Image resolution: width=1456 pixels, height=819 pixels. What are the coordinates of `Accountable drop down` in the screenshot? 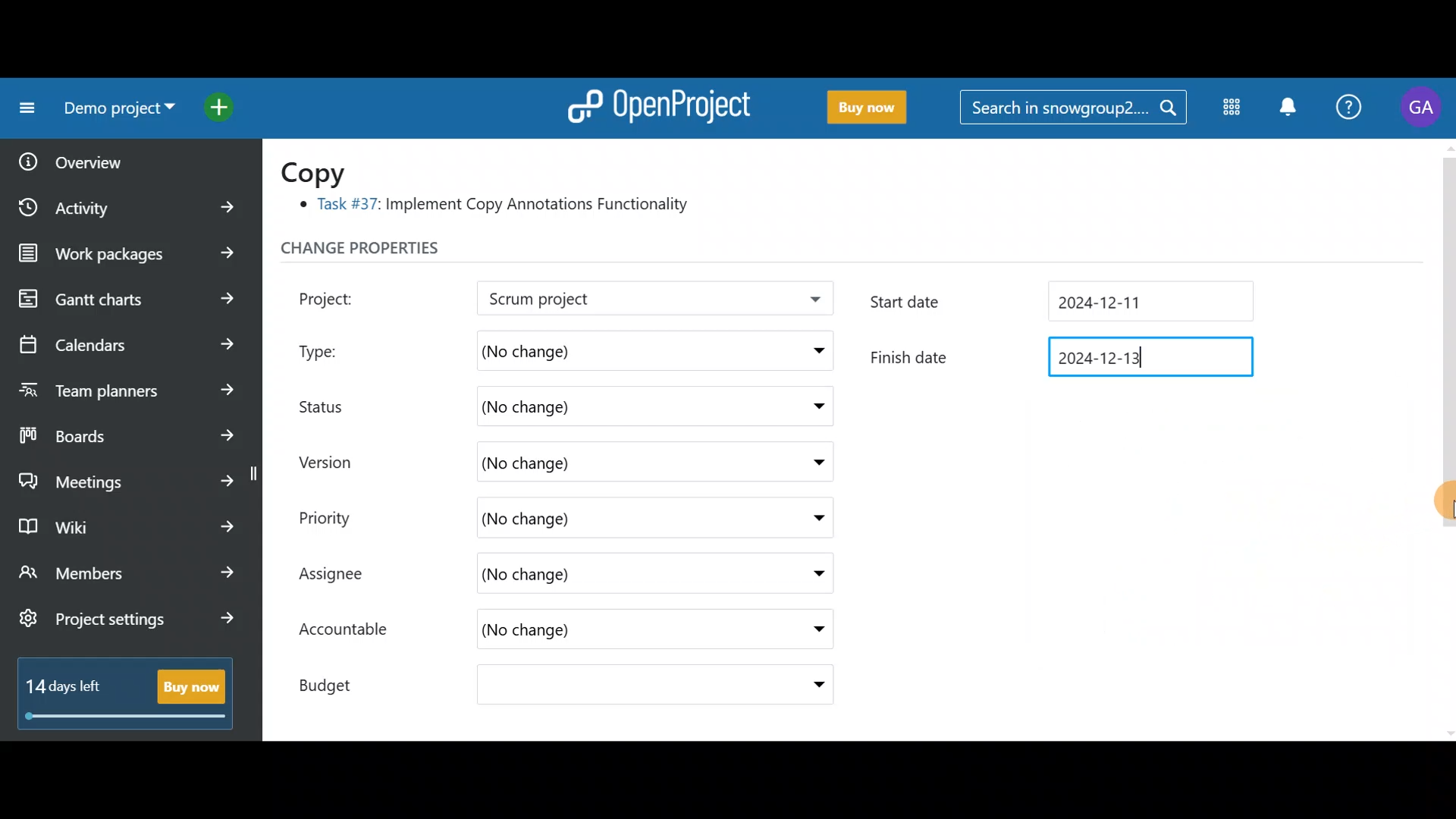 It's located at (811, 630).